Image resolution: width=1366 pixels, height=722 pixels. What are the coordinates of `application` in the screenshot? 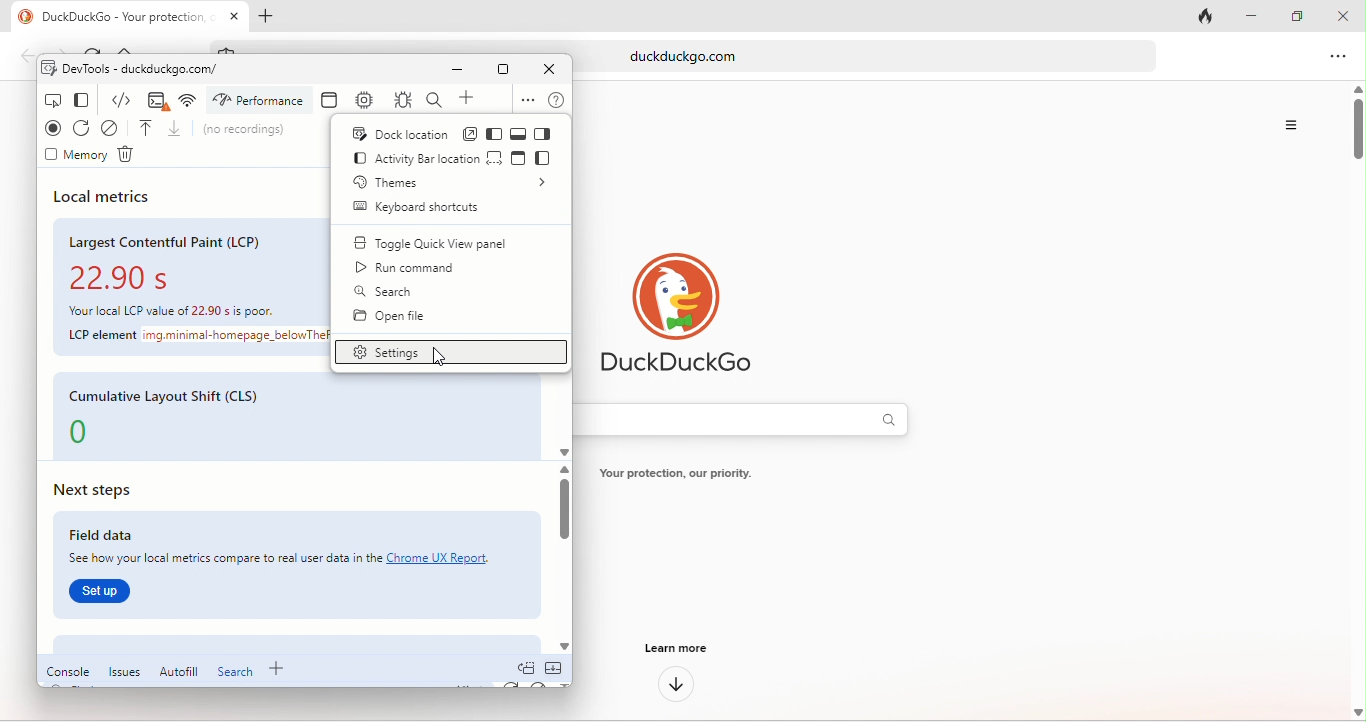 It's located at (332, 100).